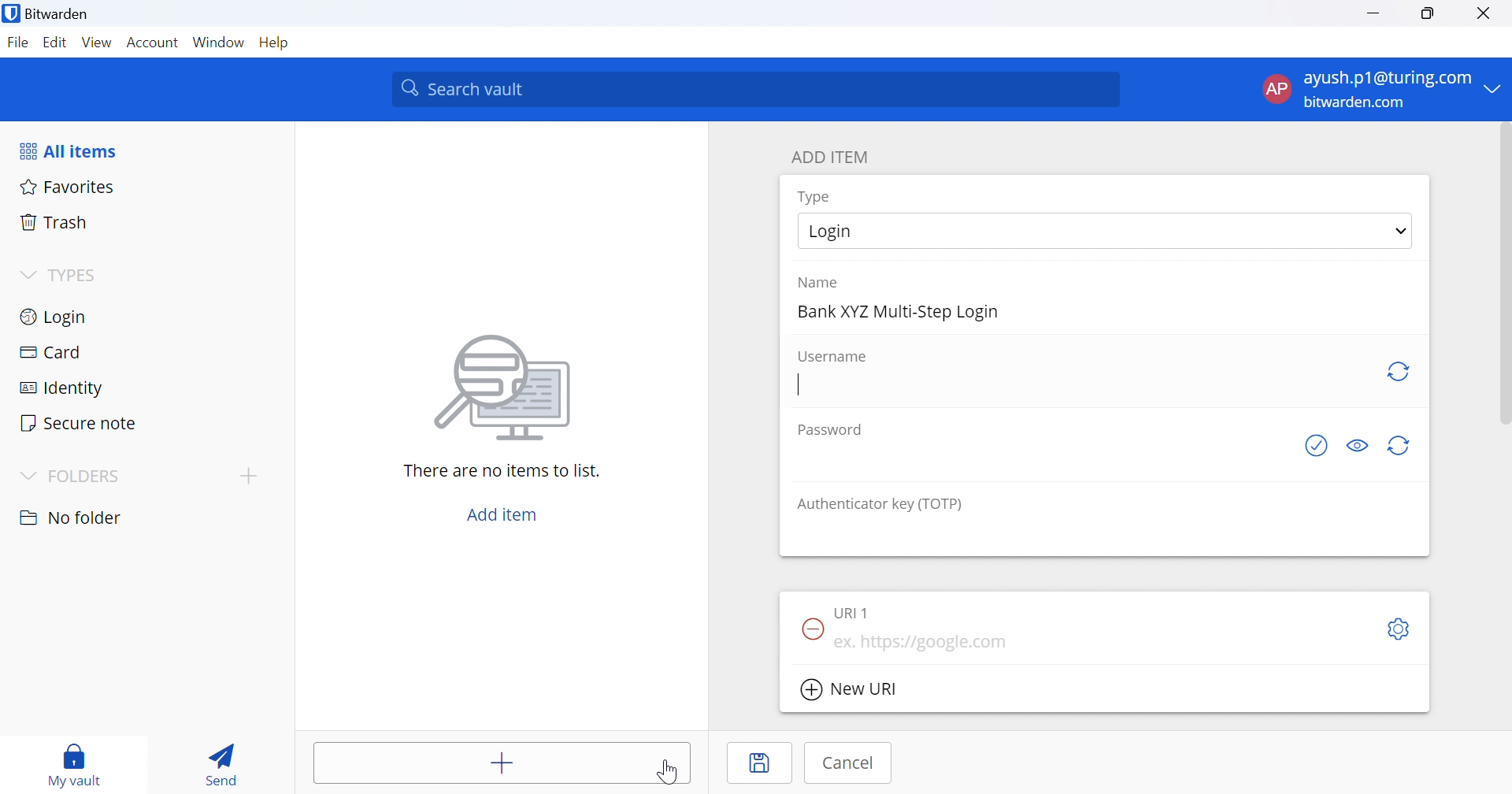 Image resolution: width=1512 pixels, height=794 pixels. Describe the element at coordinates (1497, 90) in the screenshot. I see `Drop Down` at that location.